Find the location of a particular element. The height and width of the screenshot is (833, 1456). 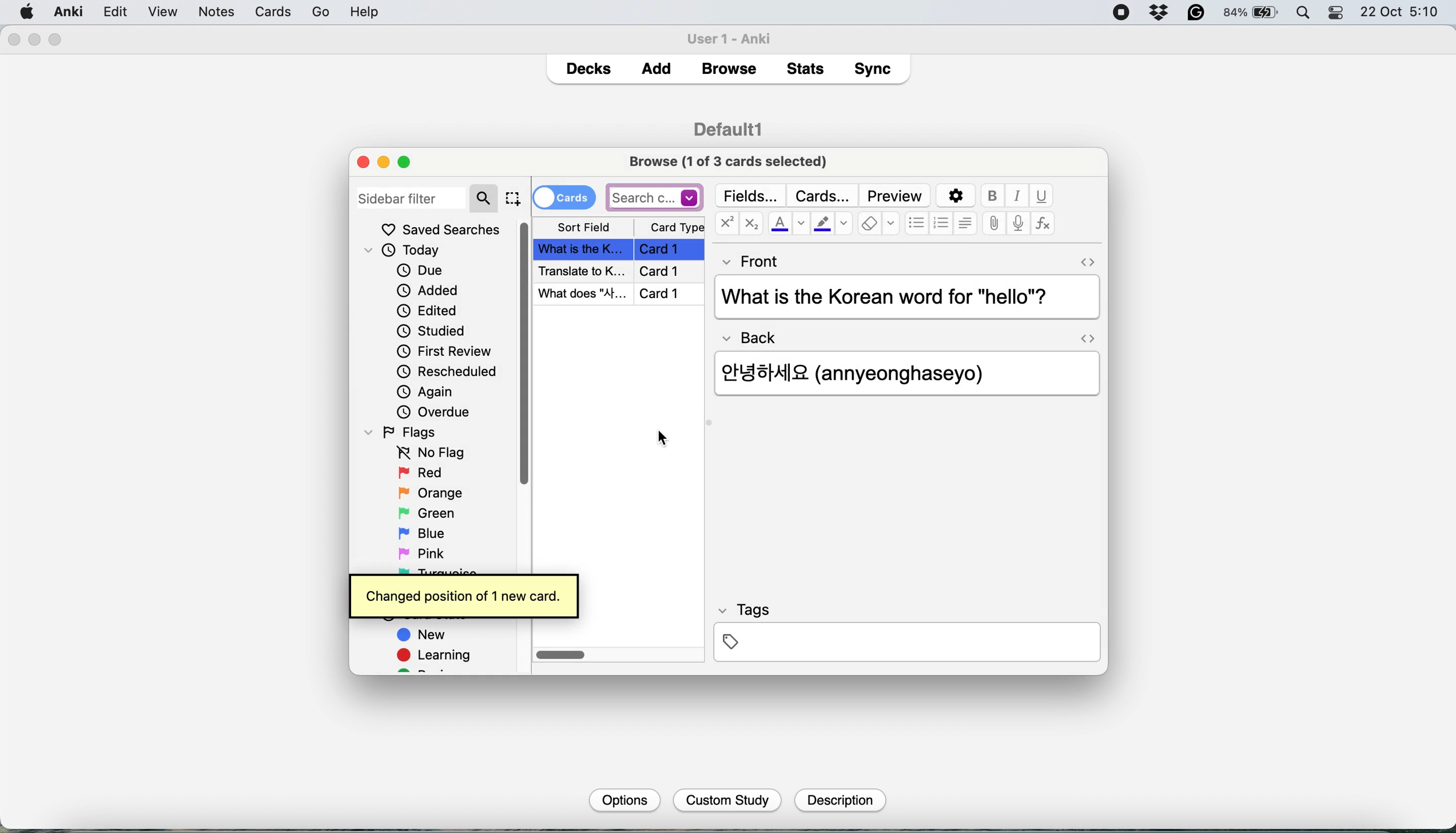

pink is located at coordinates (424, 552).